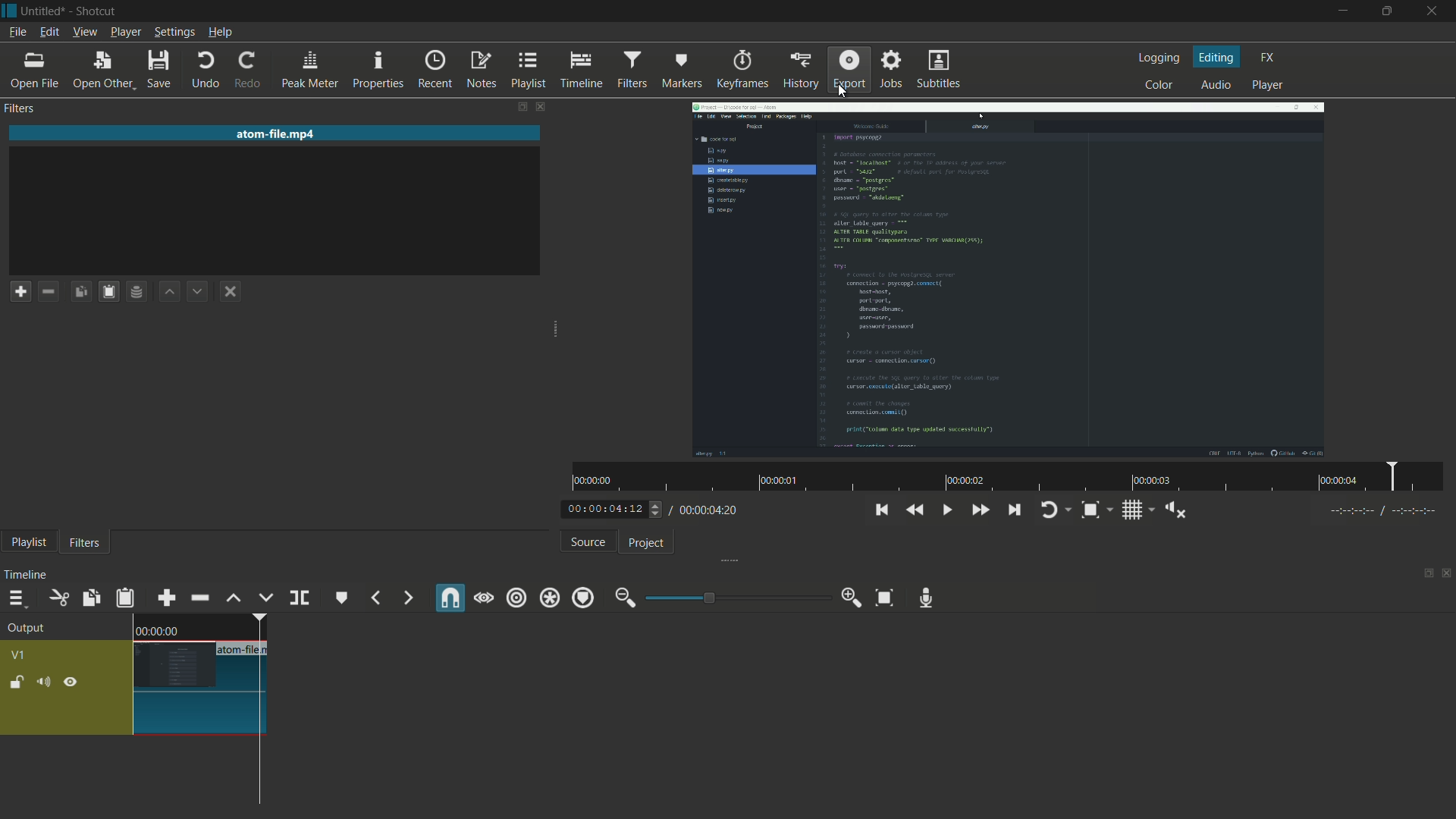 The width and height of the screenshot is (1456, 819). Describe the element at coordinates (58, 598) in the screenshot. I see `cut` at that location.